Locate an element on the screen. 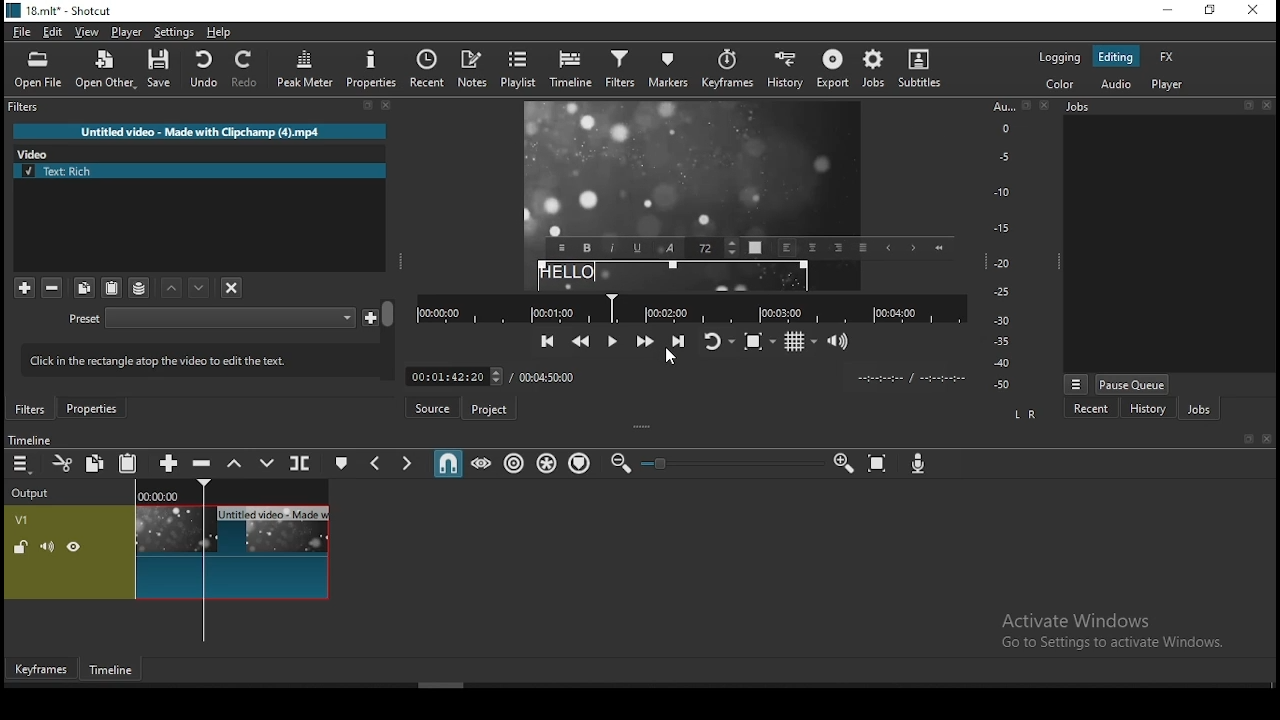 This screenshot has height=720, width=1280. recent is located at coordinates (427, 69).